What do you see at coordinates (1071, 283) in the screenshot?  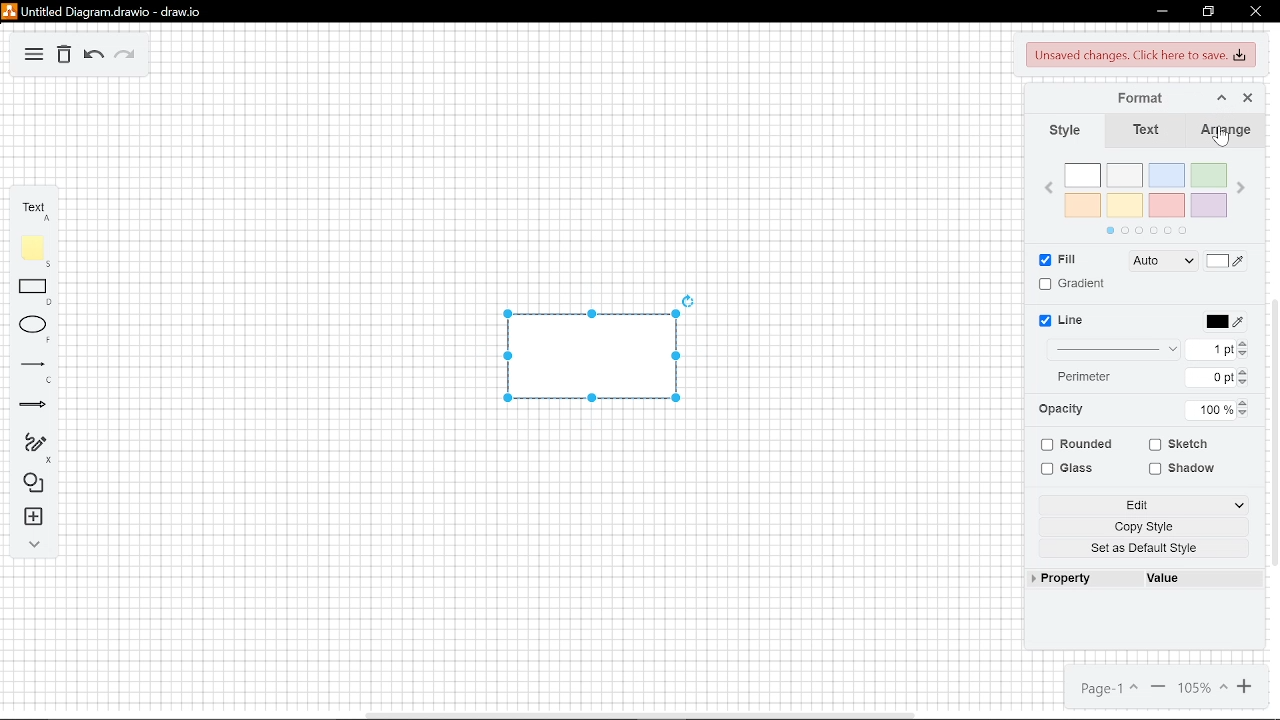 I see `gradient` at bounding box center [1071, 283].